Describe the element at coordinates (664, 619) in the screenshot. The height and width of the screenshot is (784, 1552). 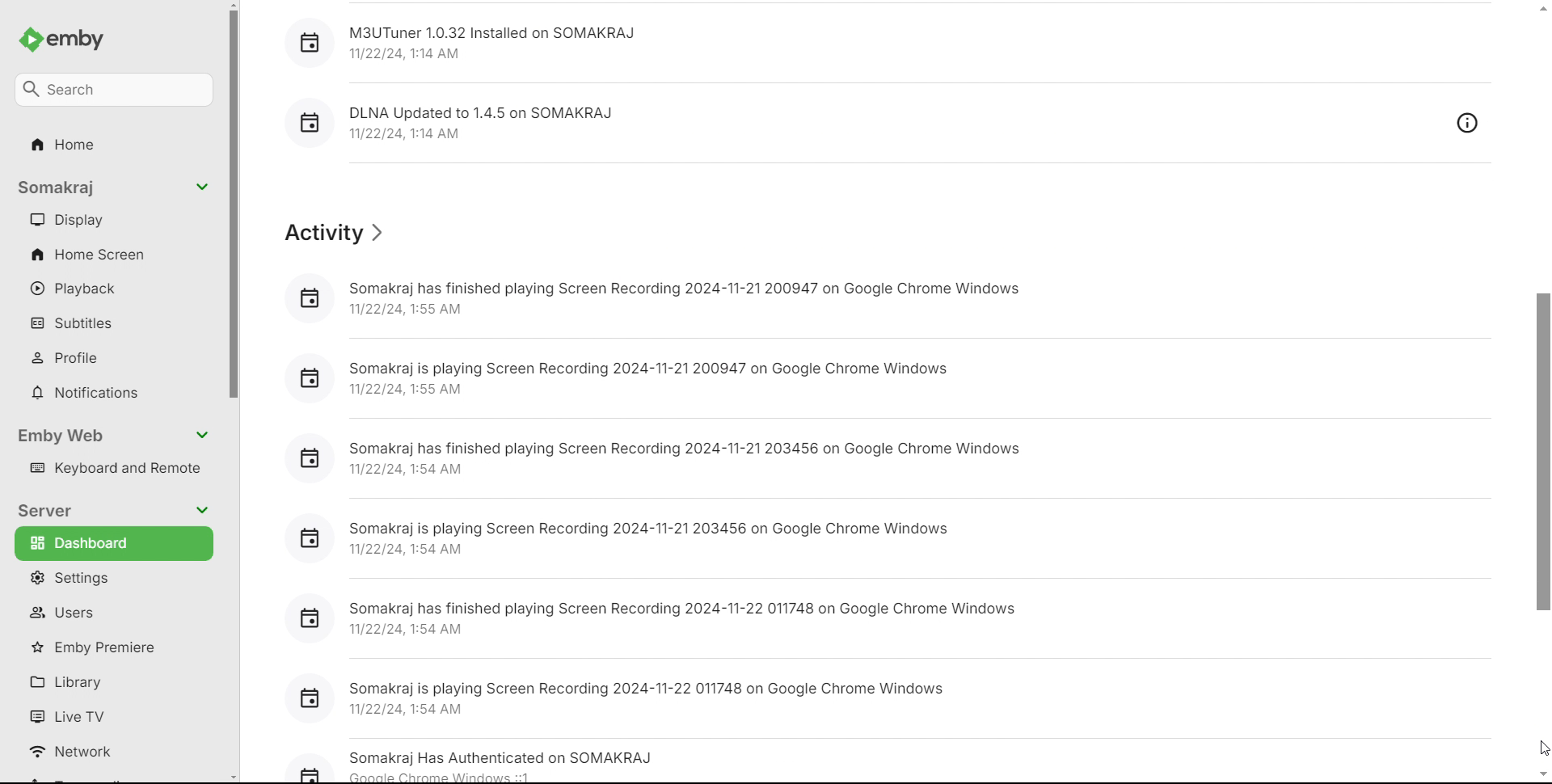
I see `[] Somakraj has finished playing Screen Recording 2024-11-22 011748 on Google Chrome Windows
11/22/24, 1:54 AM` at that location.